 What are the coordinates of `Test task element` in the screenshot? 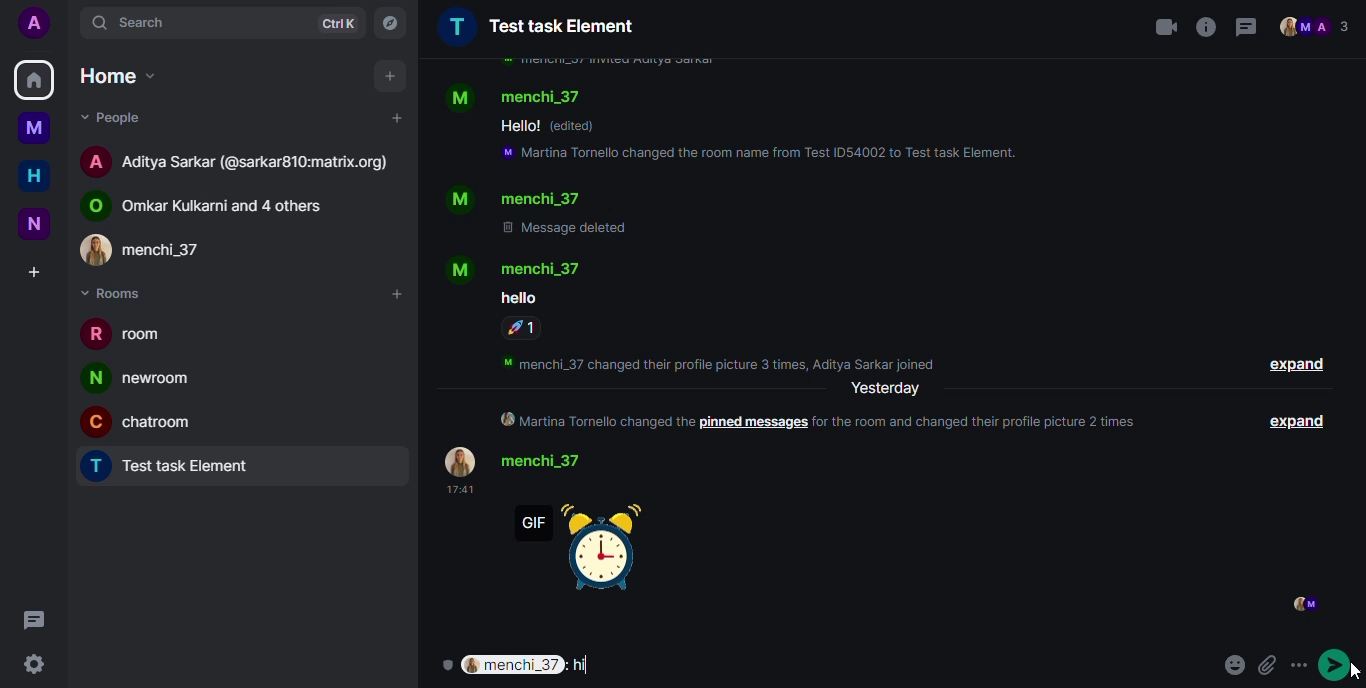 It's located at (178, 468).